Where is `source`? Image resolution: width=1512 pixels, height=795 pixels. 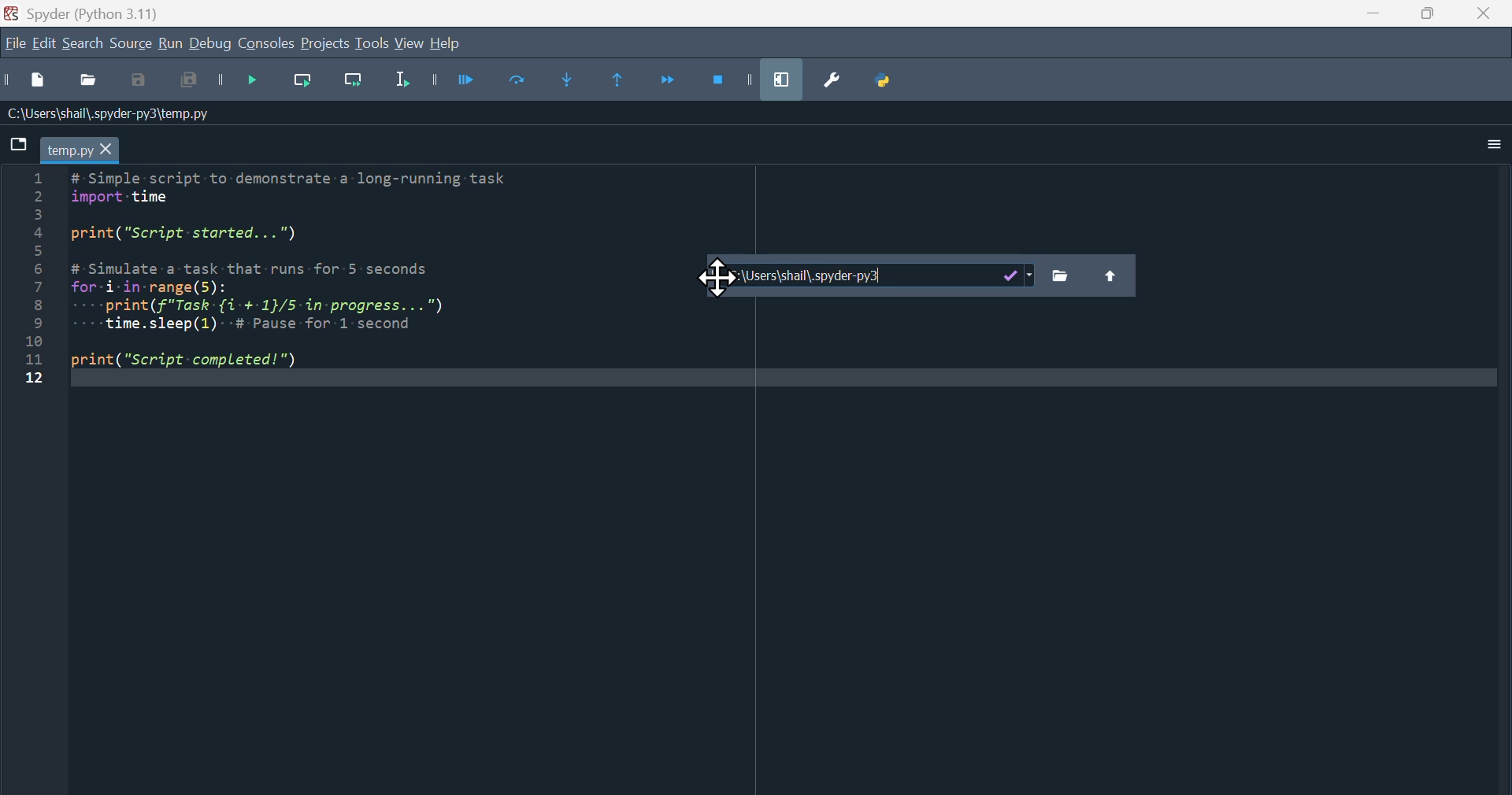
source is located at coordinates (129, 46).